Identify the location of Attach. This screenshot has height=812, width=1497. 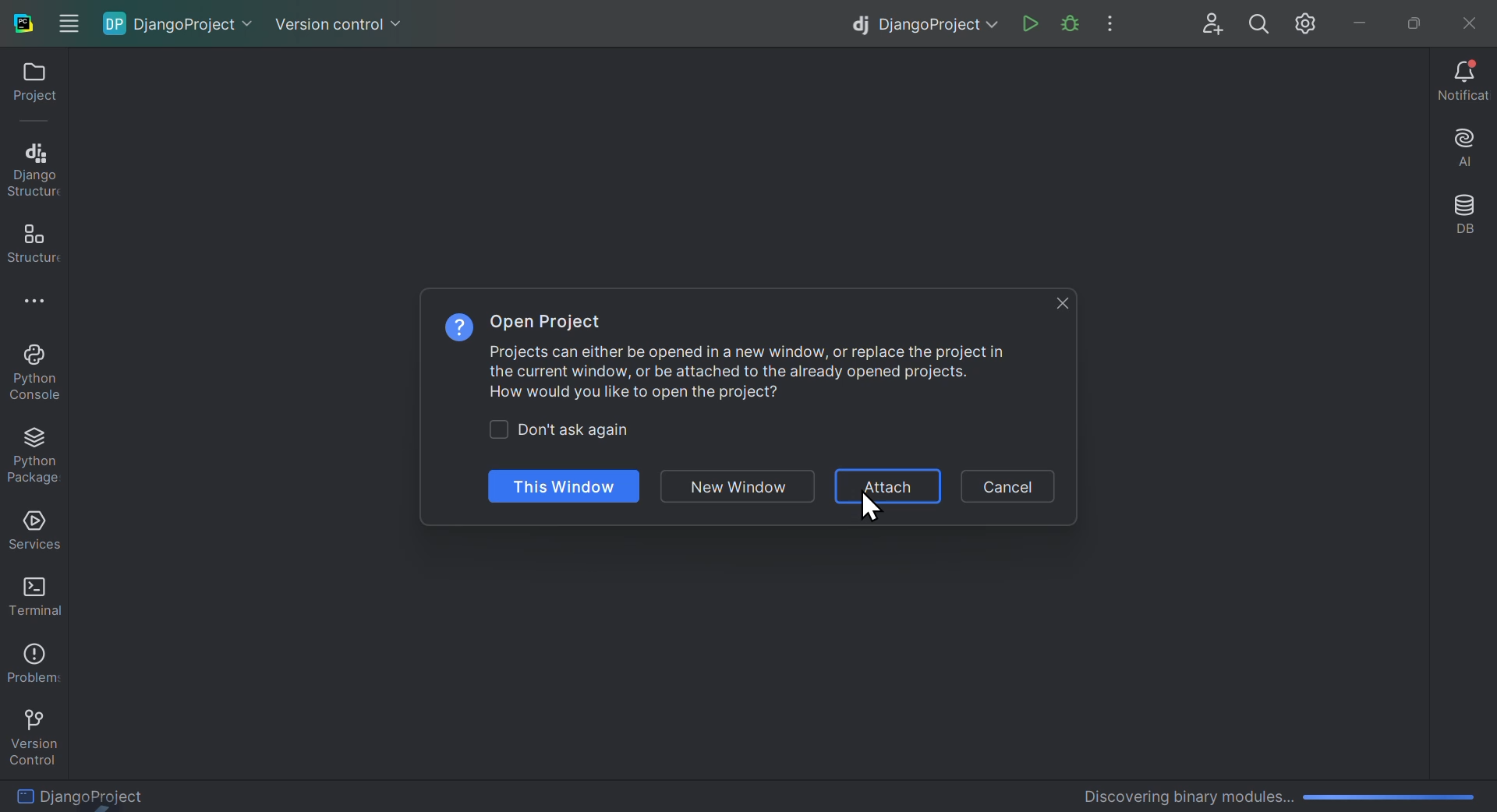
(890, 488).